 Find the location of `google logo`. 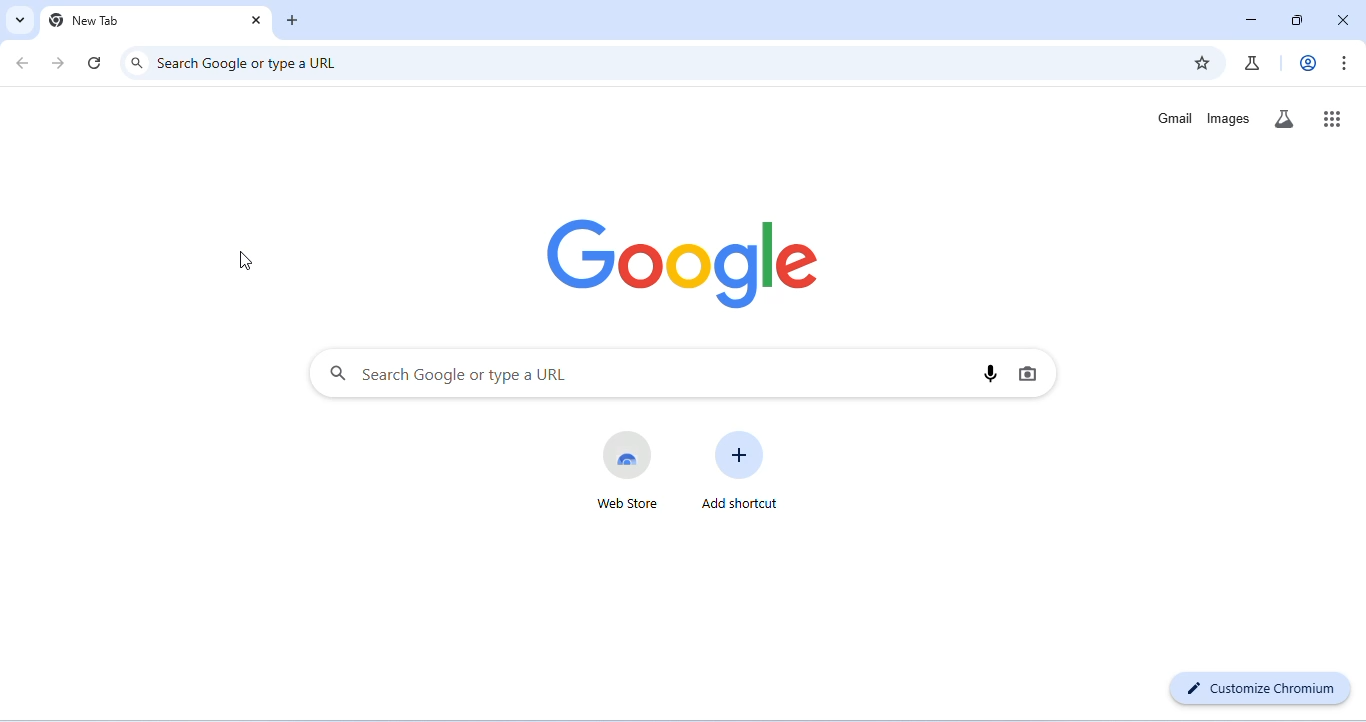

google logo is located at coordinates (684, 264).